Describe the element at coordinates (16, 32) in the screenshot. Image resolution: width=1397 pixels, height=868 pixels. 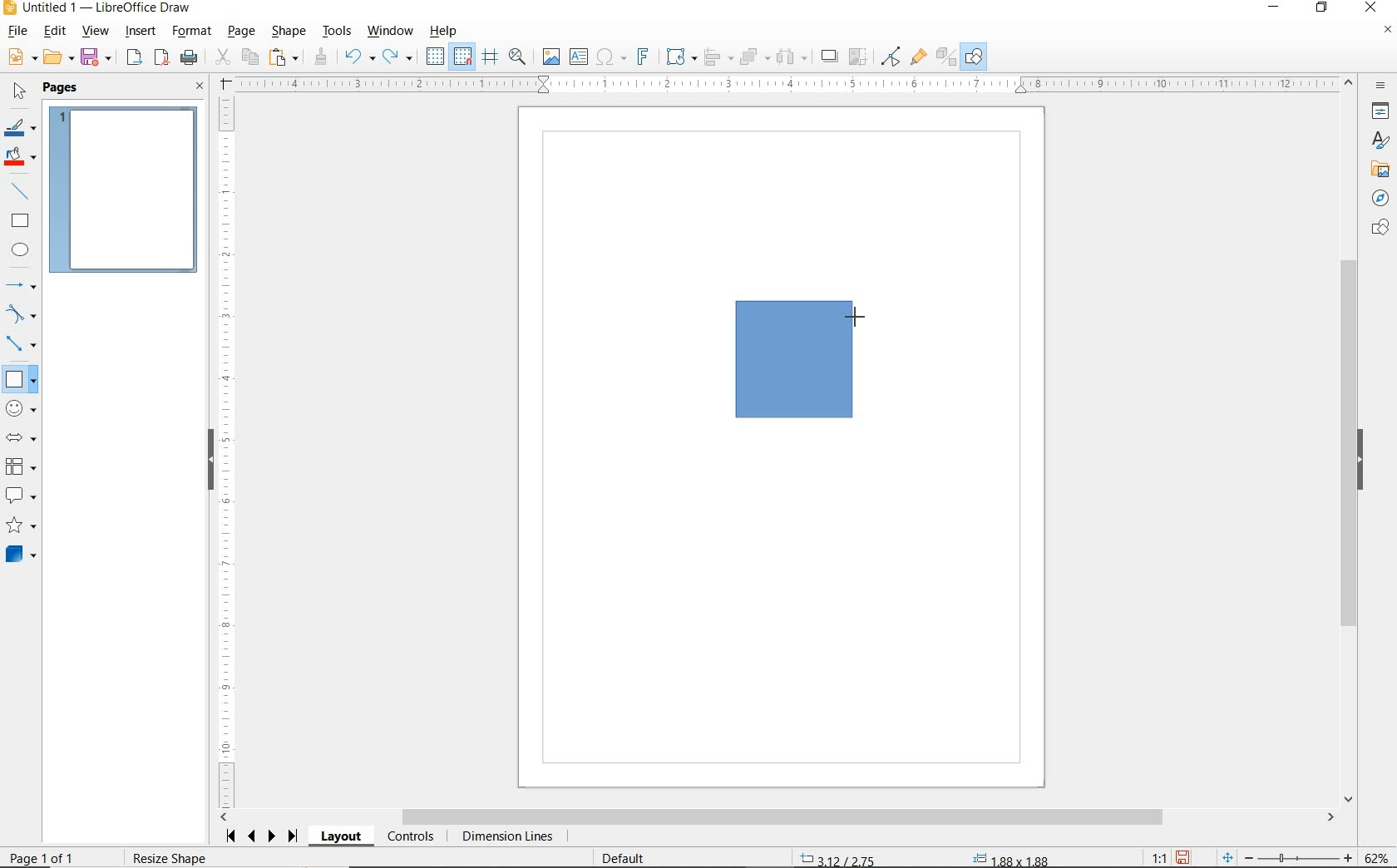
I see `FILE` at that location.